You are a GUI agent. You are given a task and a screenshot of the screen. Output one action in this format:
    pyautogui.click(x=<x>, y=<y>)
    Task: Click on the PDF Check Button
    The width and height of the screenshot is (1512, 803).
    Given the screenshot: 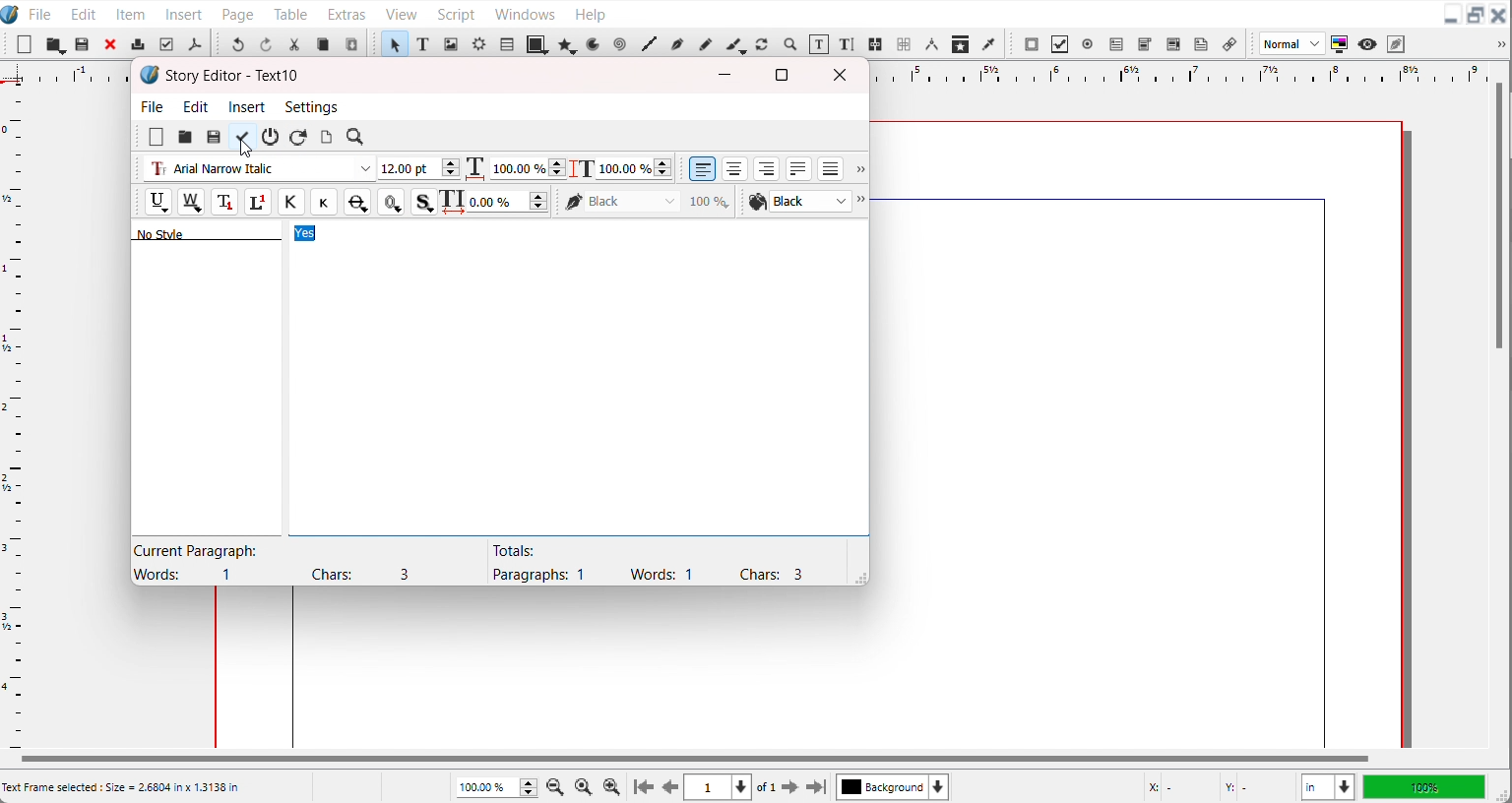 What is the action you would take?
    pyautogui.click(x=1059, y=44)
    